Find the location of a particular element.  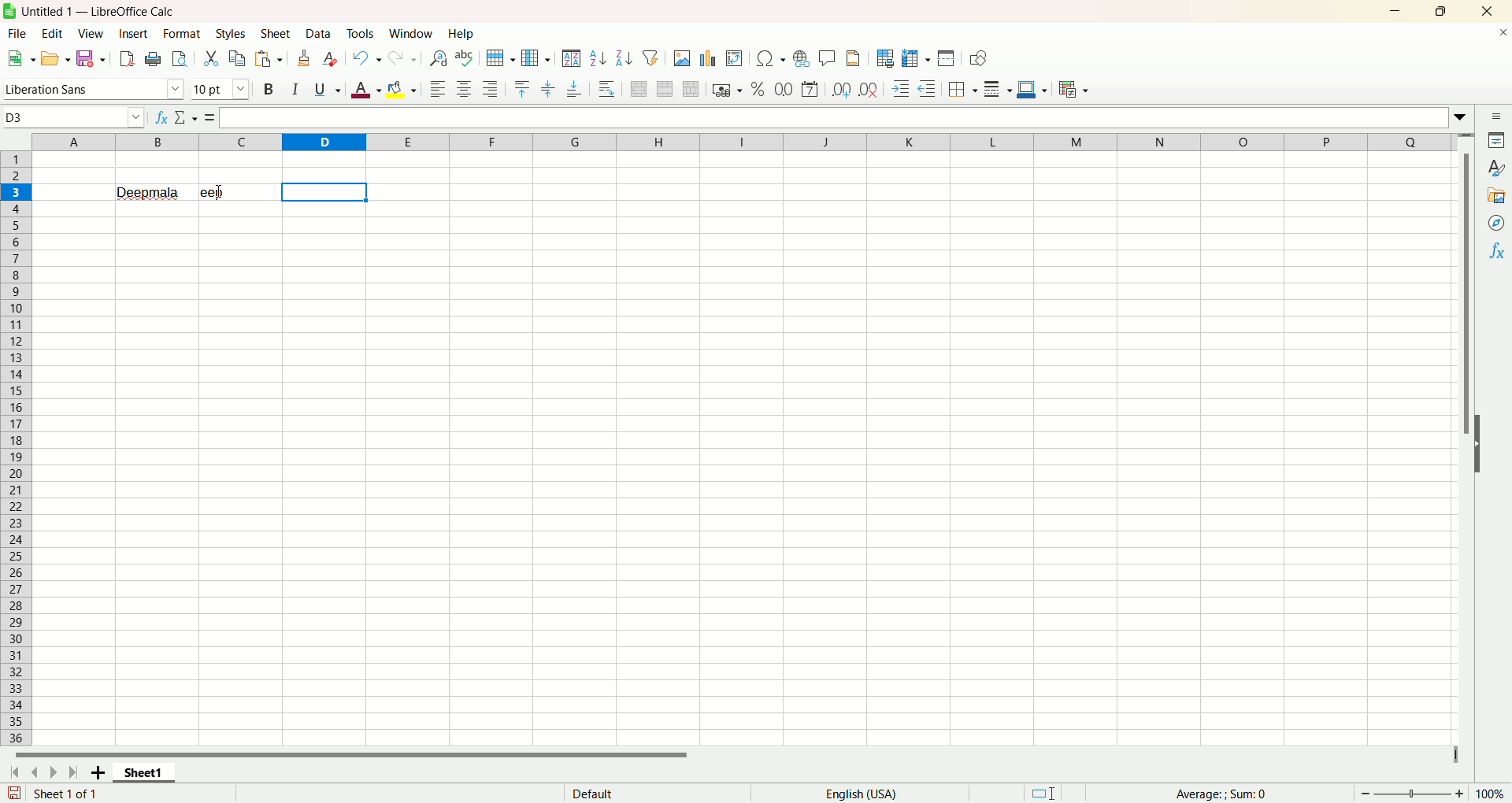

Split window is located at coordinates (946, 57).